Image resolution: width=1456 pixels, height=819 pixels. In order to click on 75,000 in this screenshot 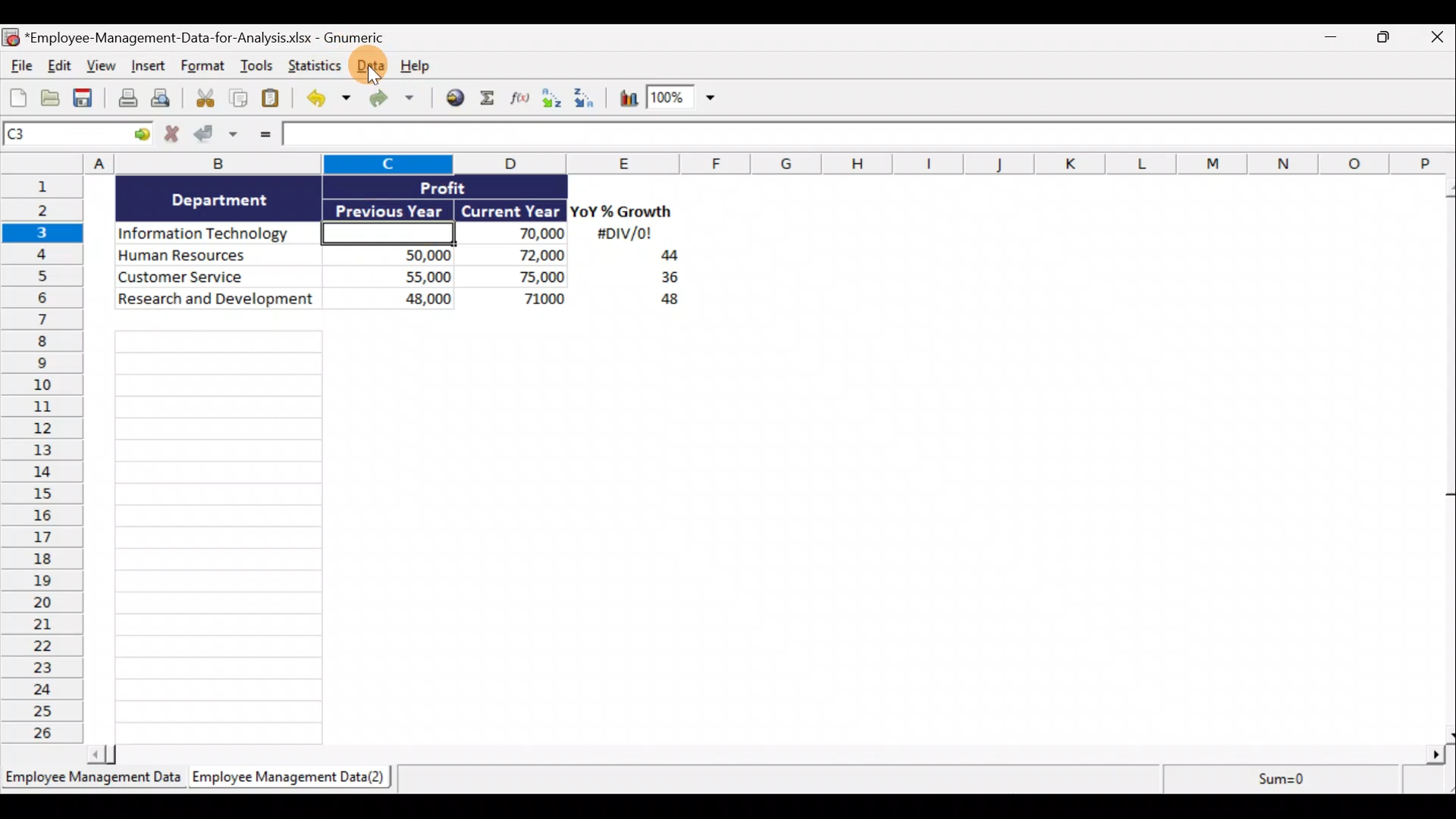, I will do `click(519, 278)`.